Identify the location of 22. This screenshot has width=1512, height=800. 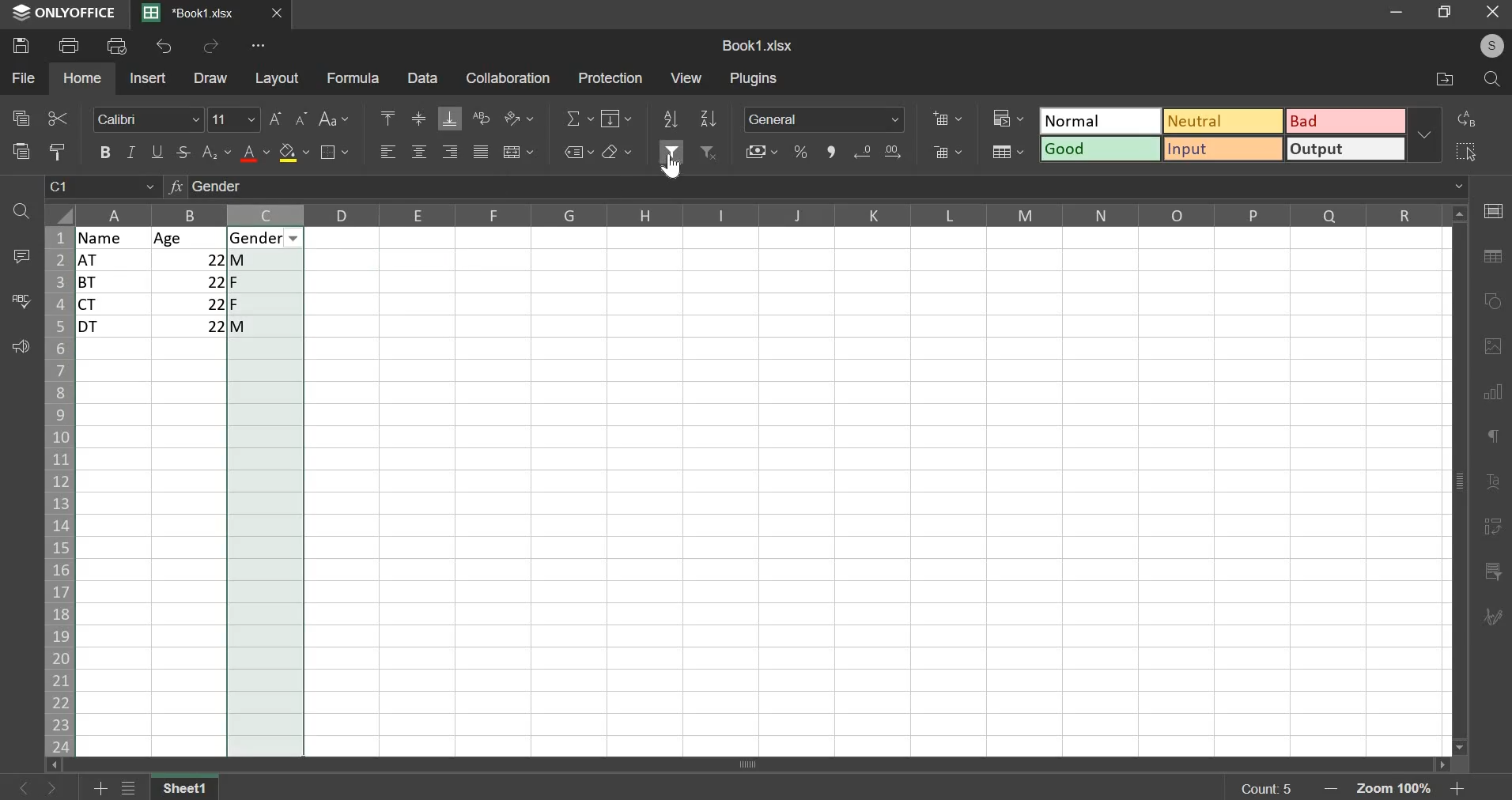
(191, 281).